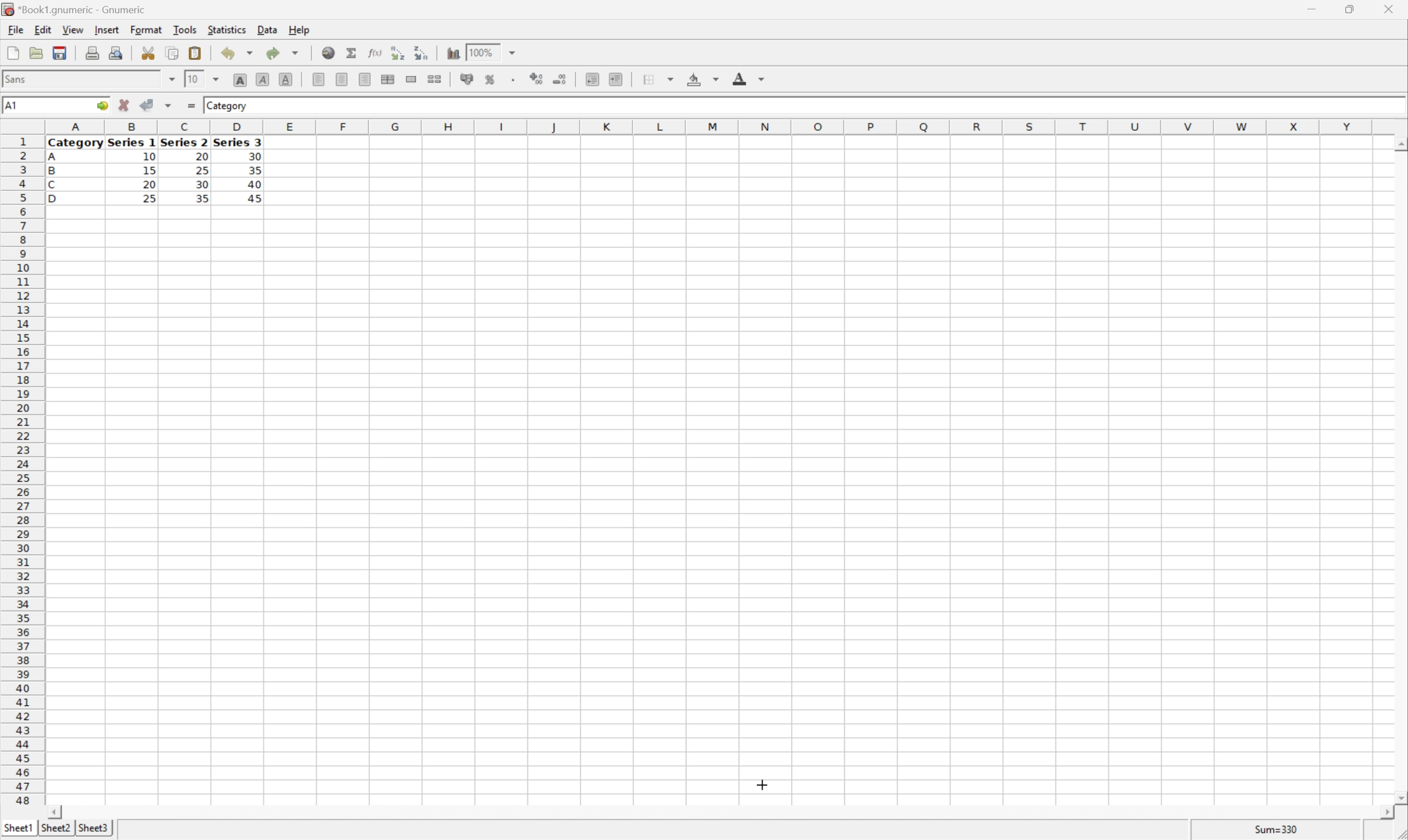 The height and width of the screenshot is (840, 1408). Describe the element at coordinates (1399, 799) in the screenshot. I see `Scroll Down` at that location.